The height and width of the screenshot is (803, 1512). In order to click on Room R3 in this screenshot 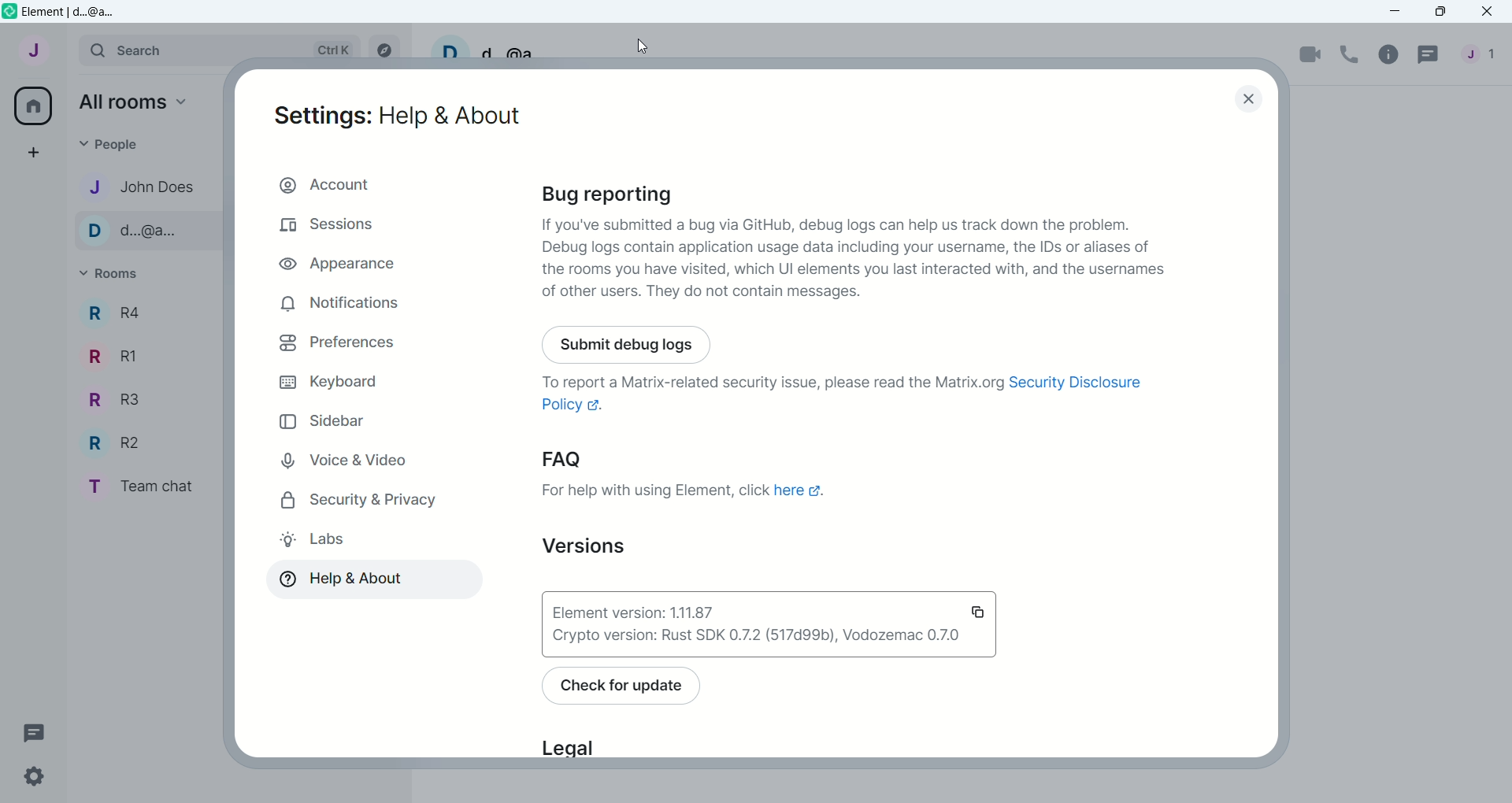, I will do `click(108, 401)`.